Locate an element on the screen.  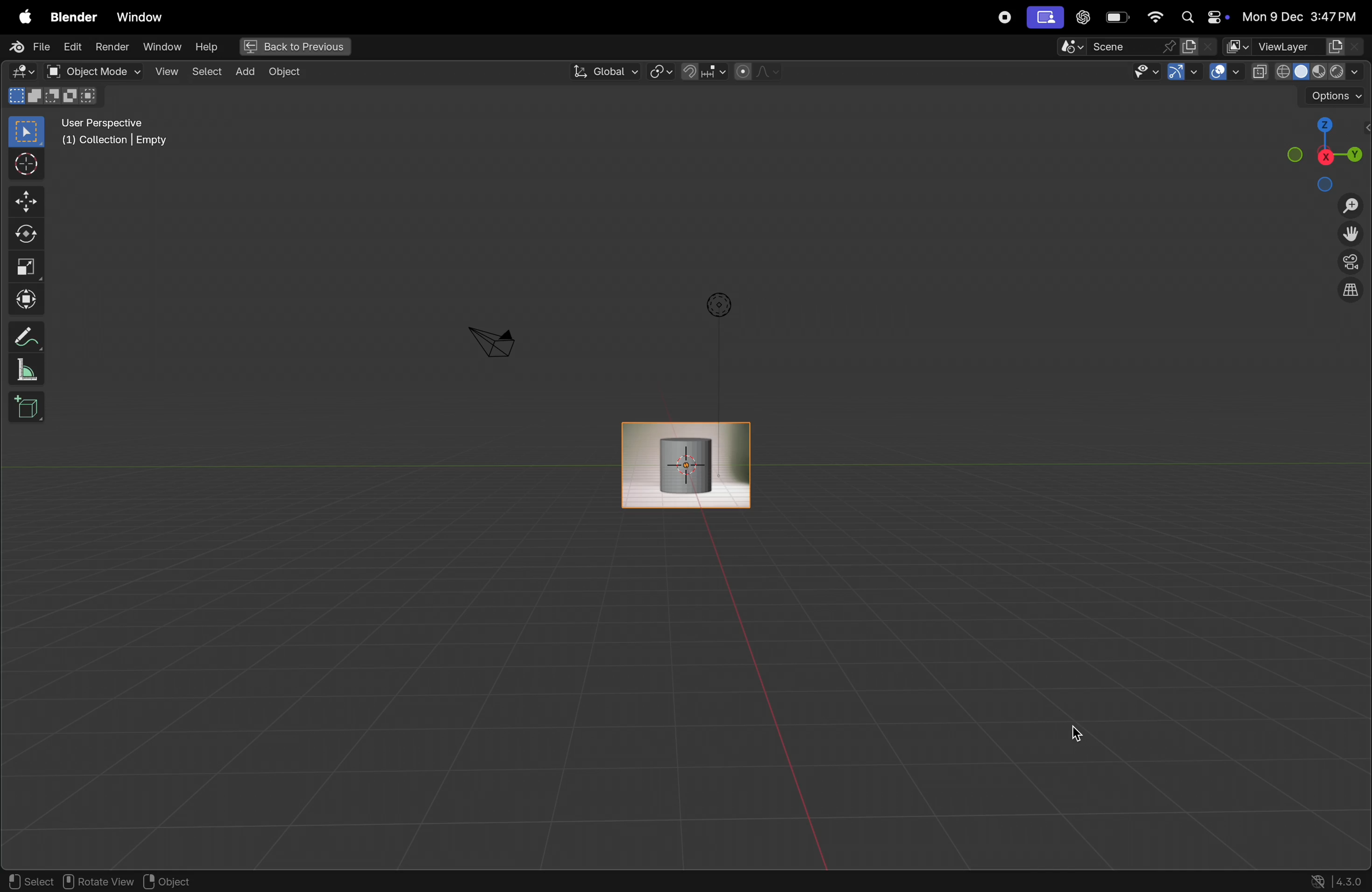
Viewlayer is located at coordinates (1295, 47).